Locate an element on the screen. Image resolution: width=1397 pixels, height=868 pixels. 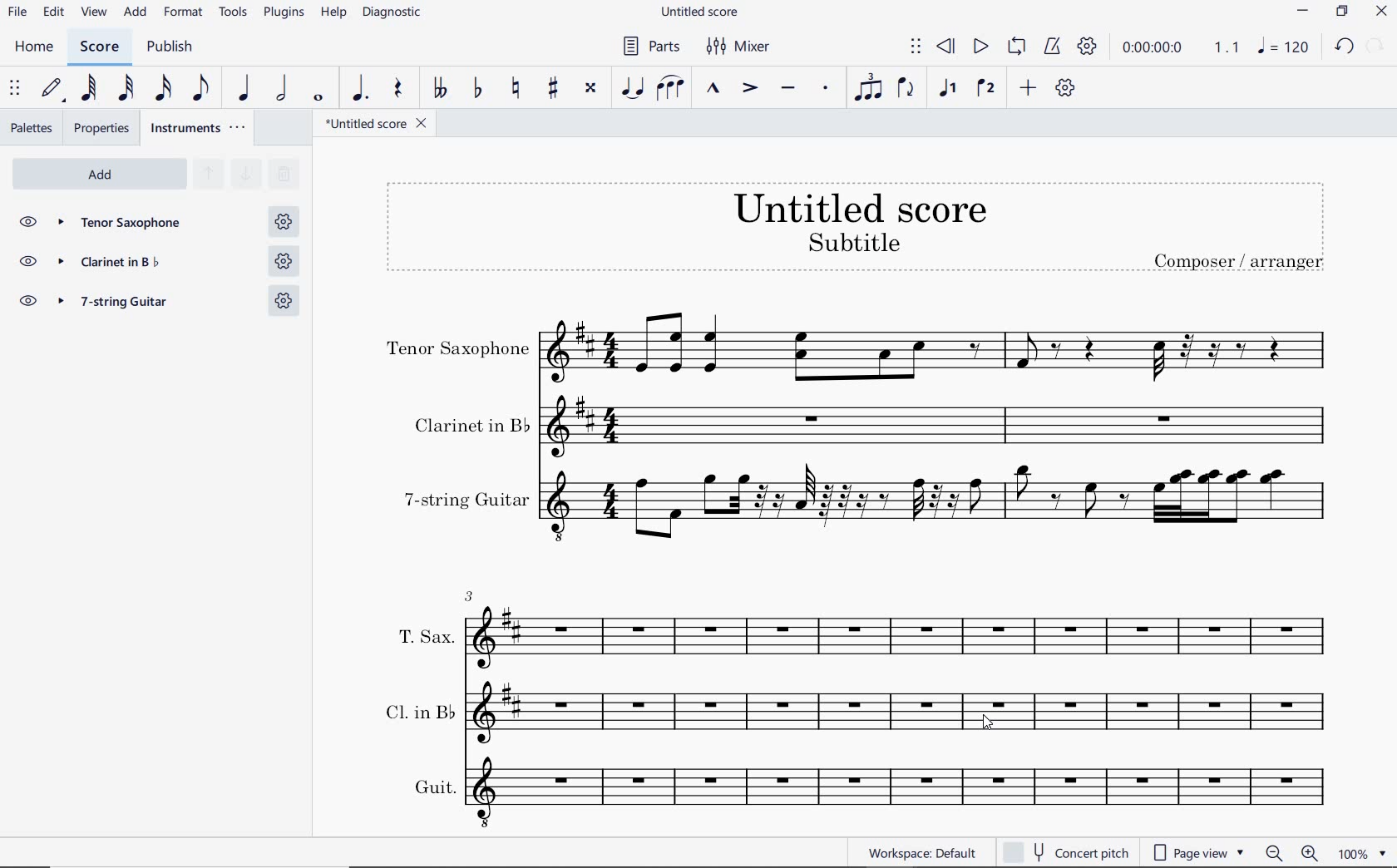
SEARCH PALETTES is located at coordinates (282, 175).